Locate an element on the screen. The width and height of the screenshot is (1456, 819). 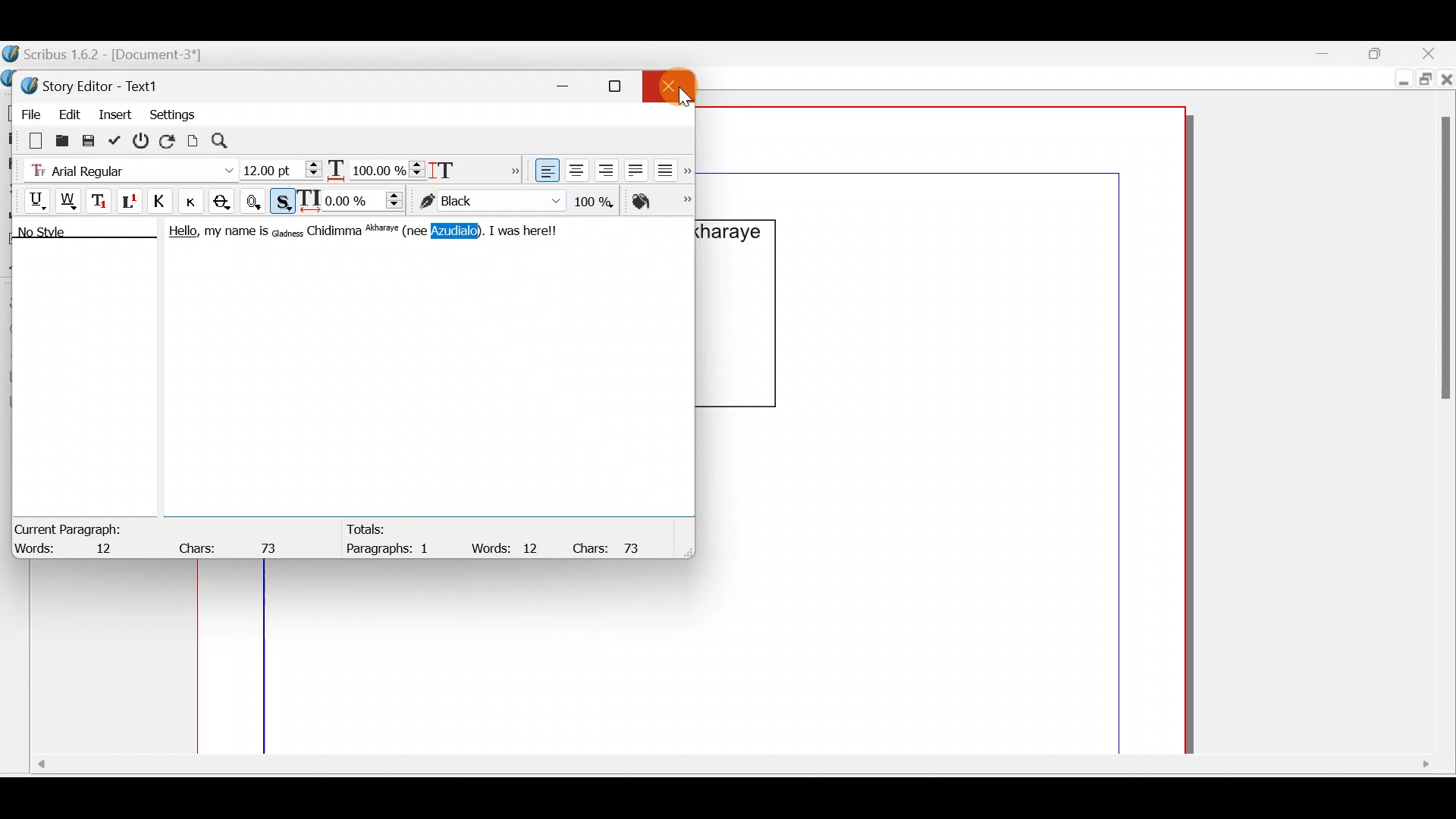
Underline is located at coordinates (30, 199).